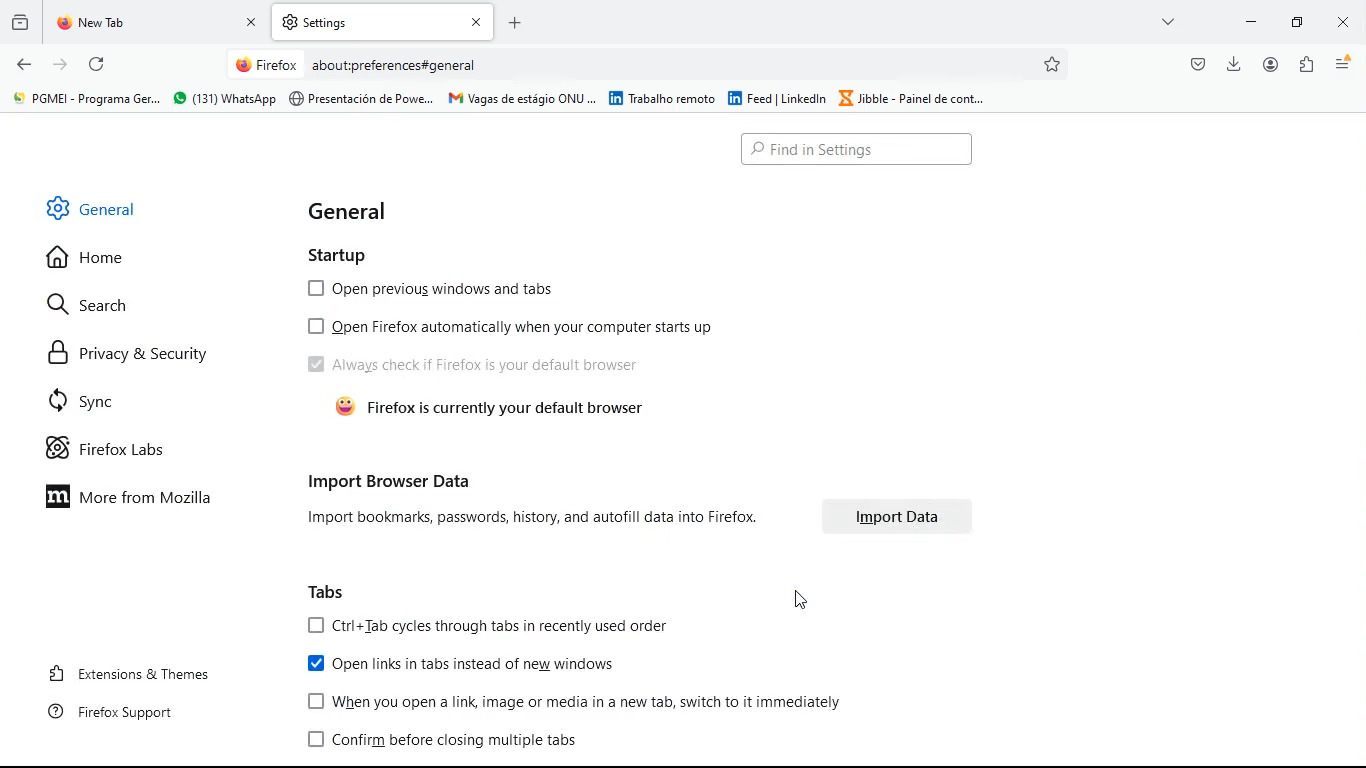  Describe the element at coordinates (137, 672) in the screenshot. I see `extensions & themes` at that location.